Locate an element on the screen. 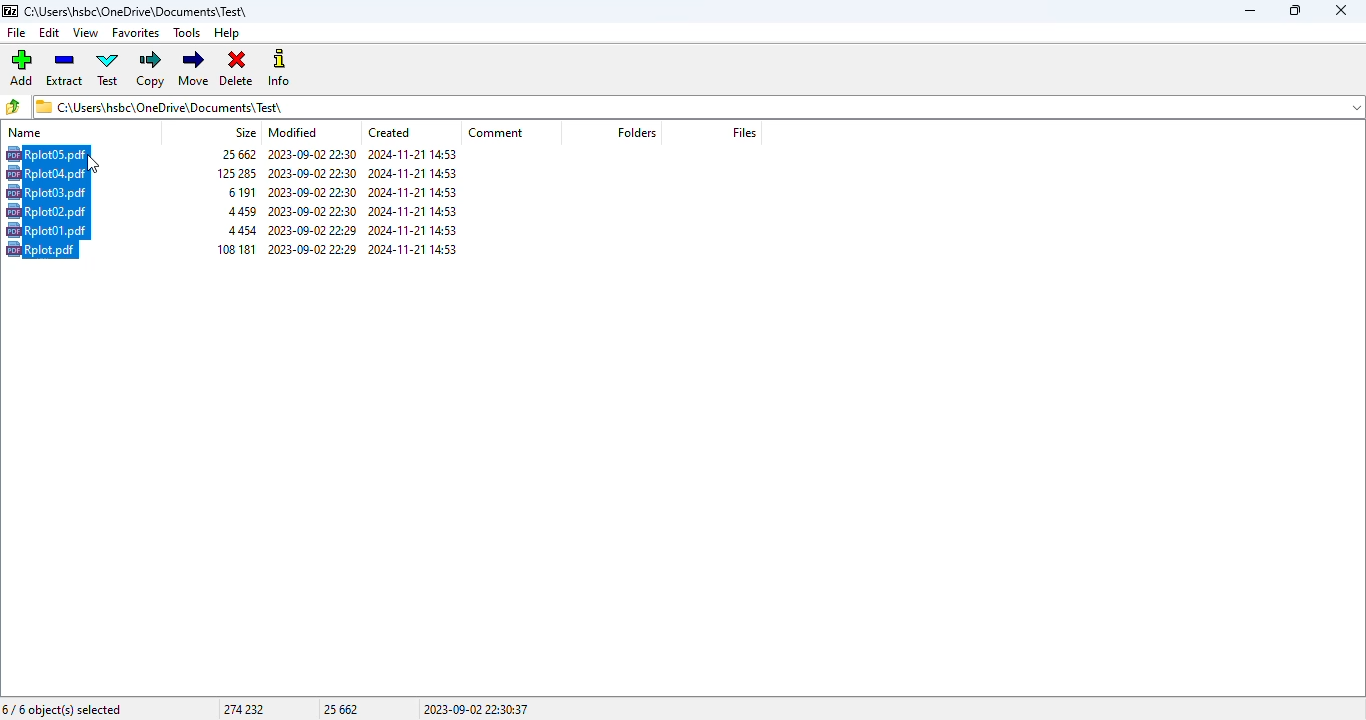 The image size is (1366, 720). created date & time is located at coordinates (413, 211).